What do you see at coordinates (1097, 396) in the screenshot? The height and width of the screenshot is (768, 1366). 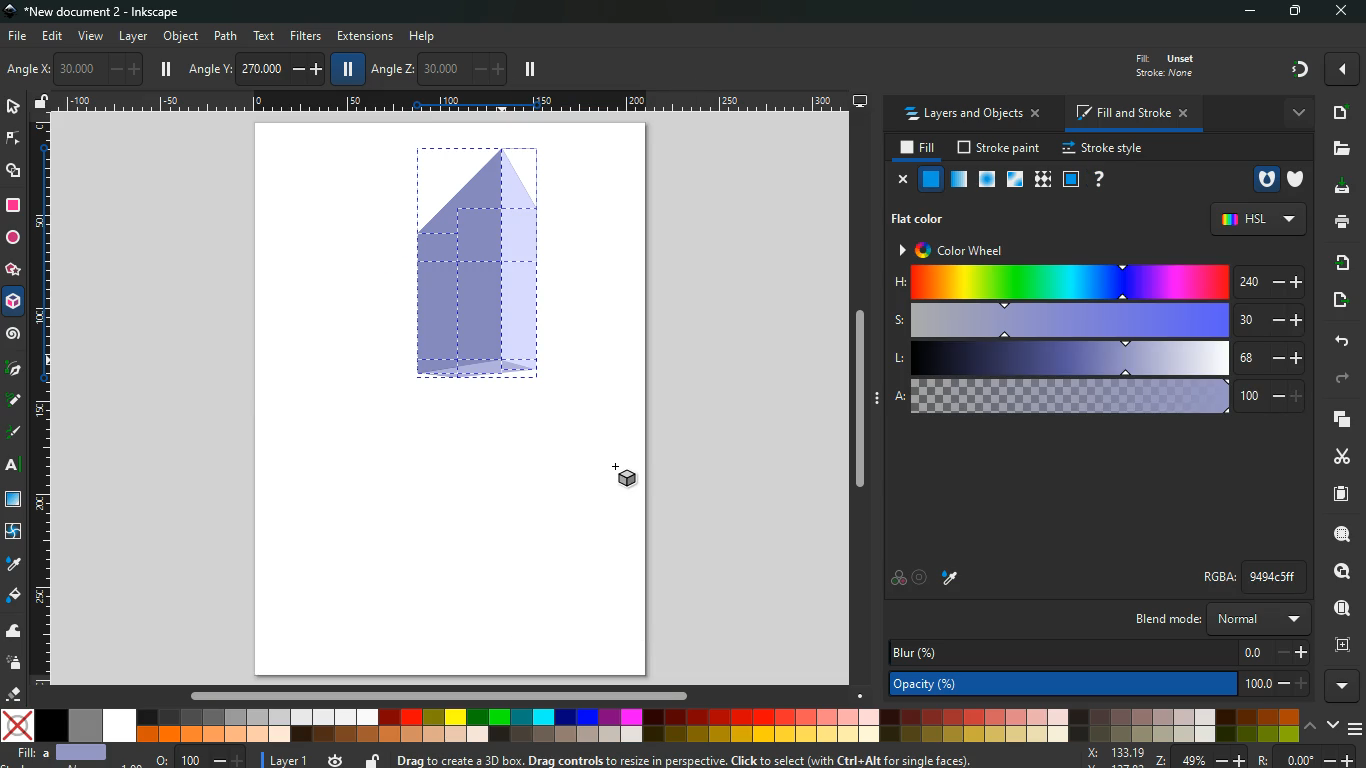 I see `a` at bounding box center [1097, 396].